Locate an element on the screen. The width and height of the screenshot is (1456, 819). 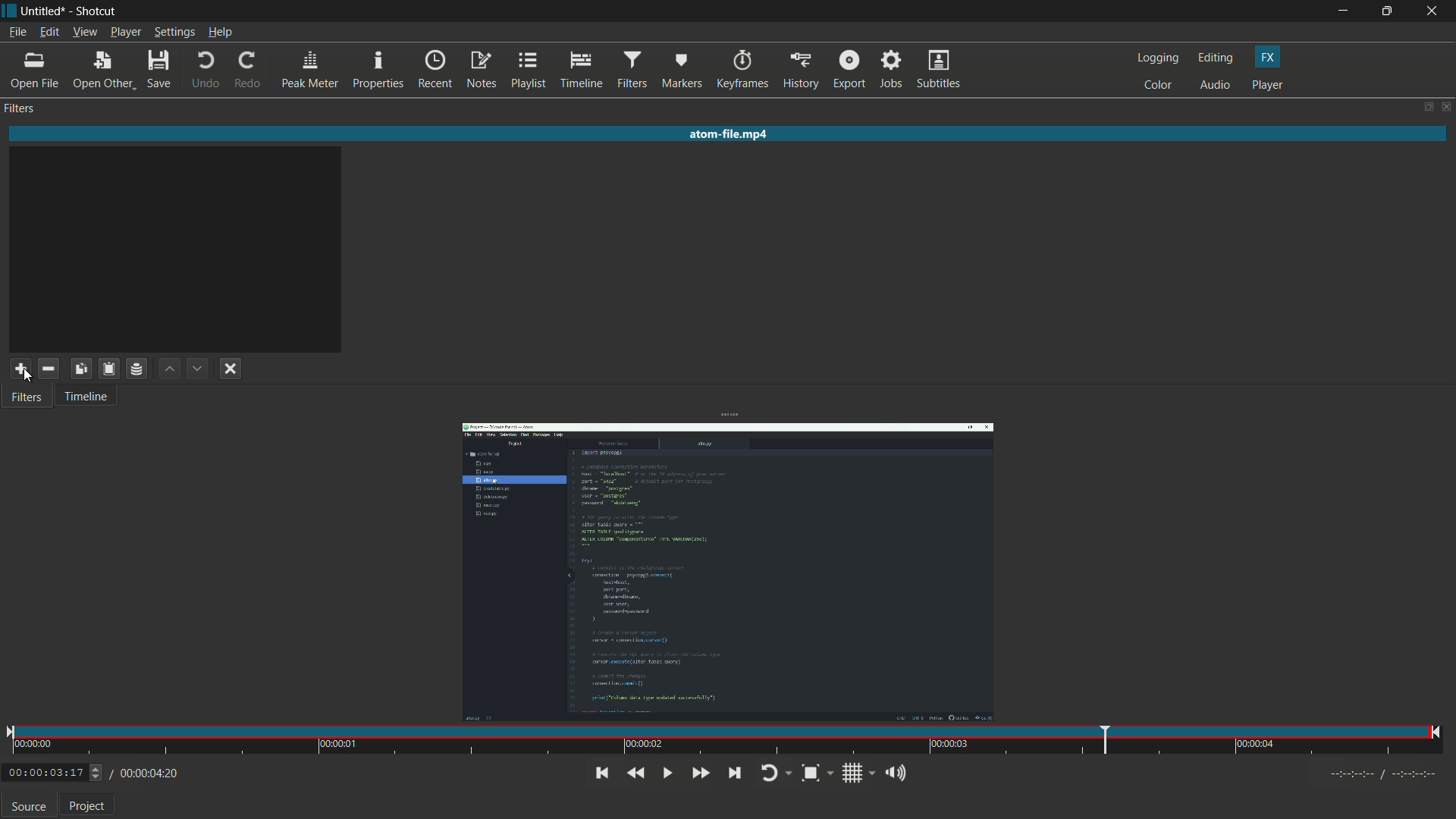
close app is located at coordinates (1435, 11).